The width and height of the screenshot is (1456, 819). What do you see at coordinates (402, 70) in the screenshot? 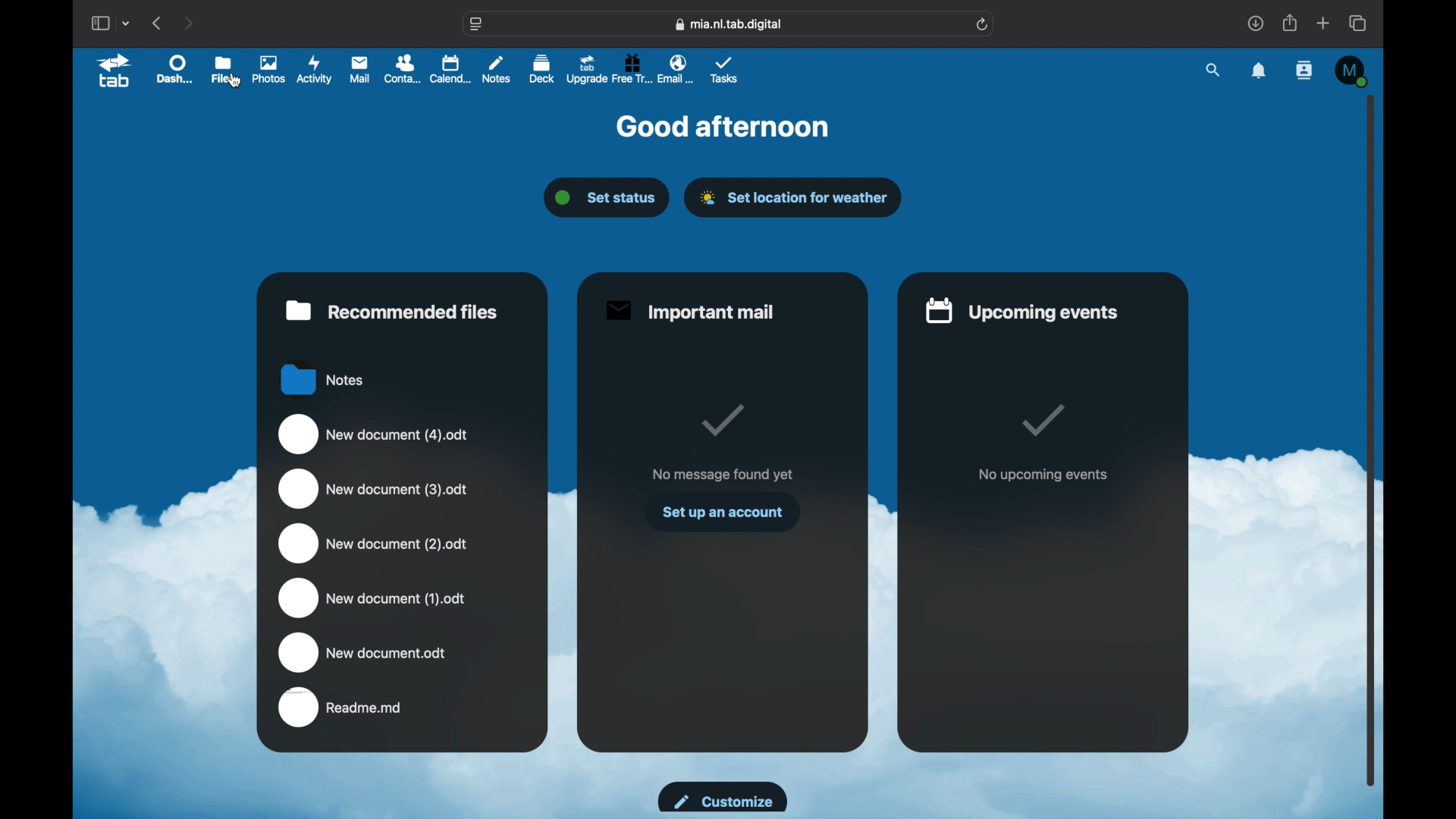
I see `contacts` at bounding box center [402, 70].